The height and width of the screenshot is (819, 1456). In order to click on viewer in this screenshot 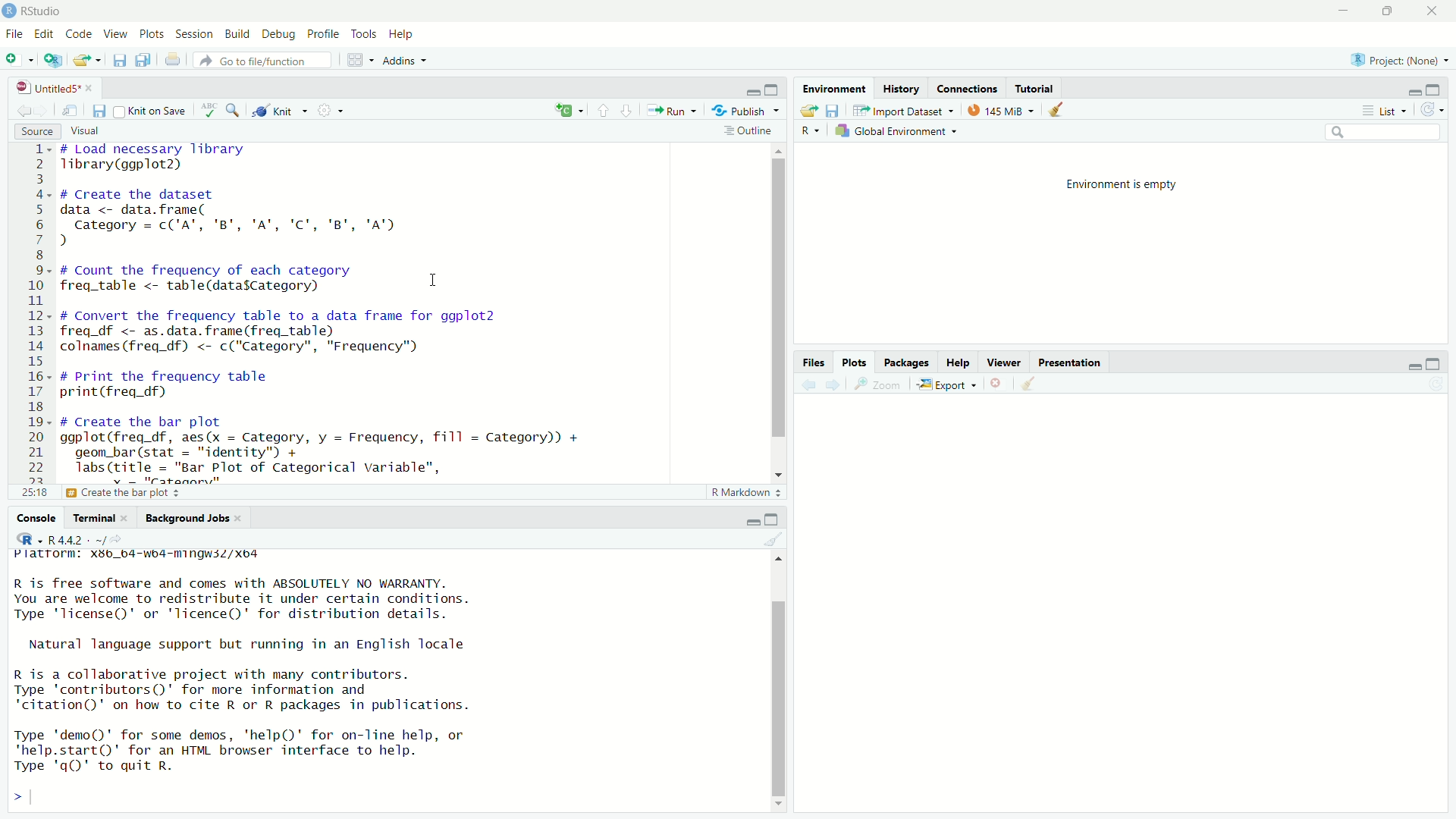, I will do `click(1005, 364)`.